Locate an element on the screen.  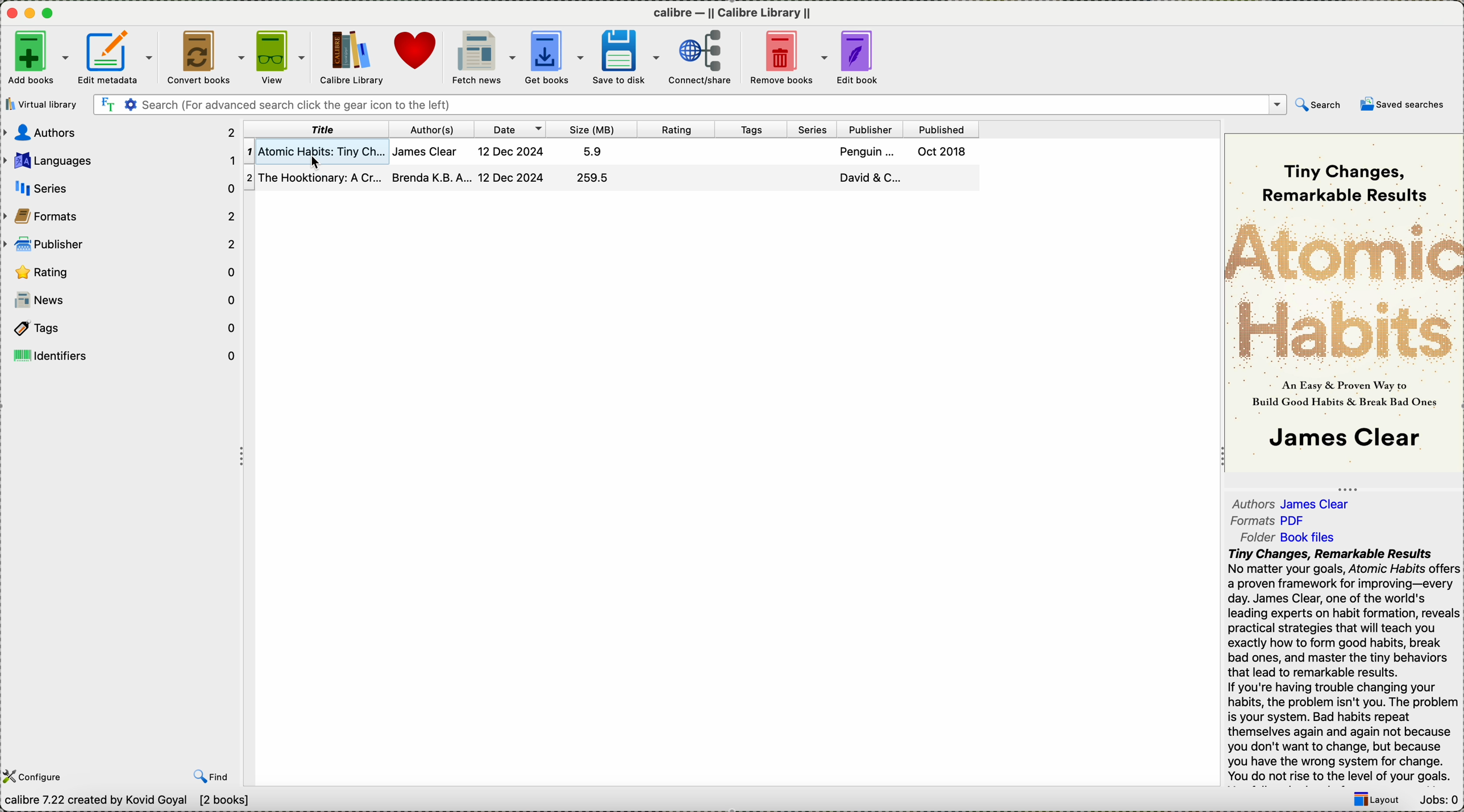
Calibre library is located at coordinates (350, 56).